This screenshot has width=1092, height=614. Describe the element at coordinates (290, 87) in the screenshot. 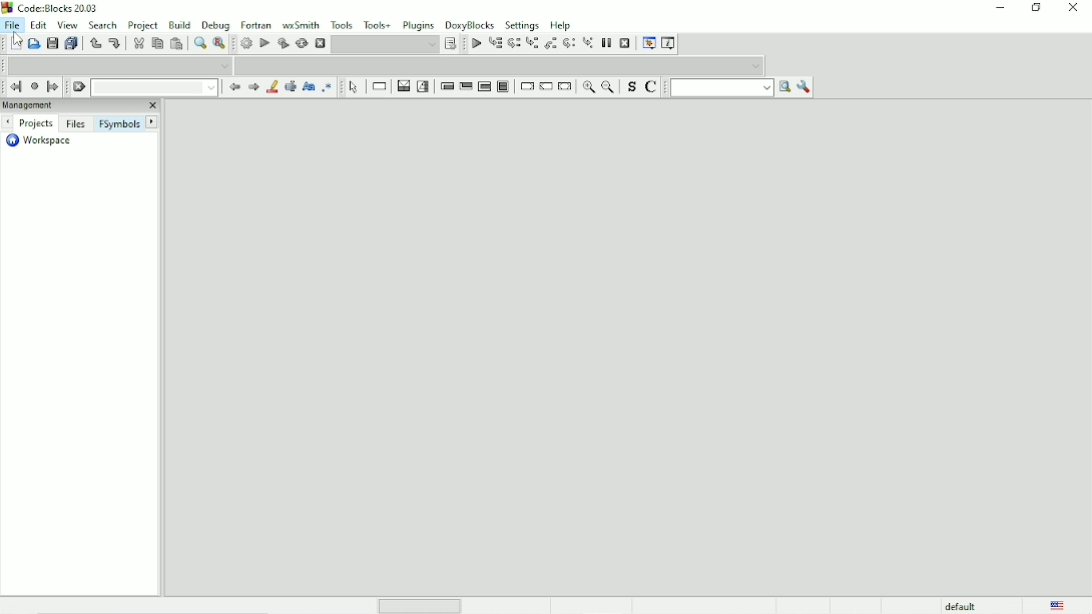

I see `Selected text` at that location.